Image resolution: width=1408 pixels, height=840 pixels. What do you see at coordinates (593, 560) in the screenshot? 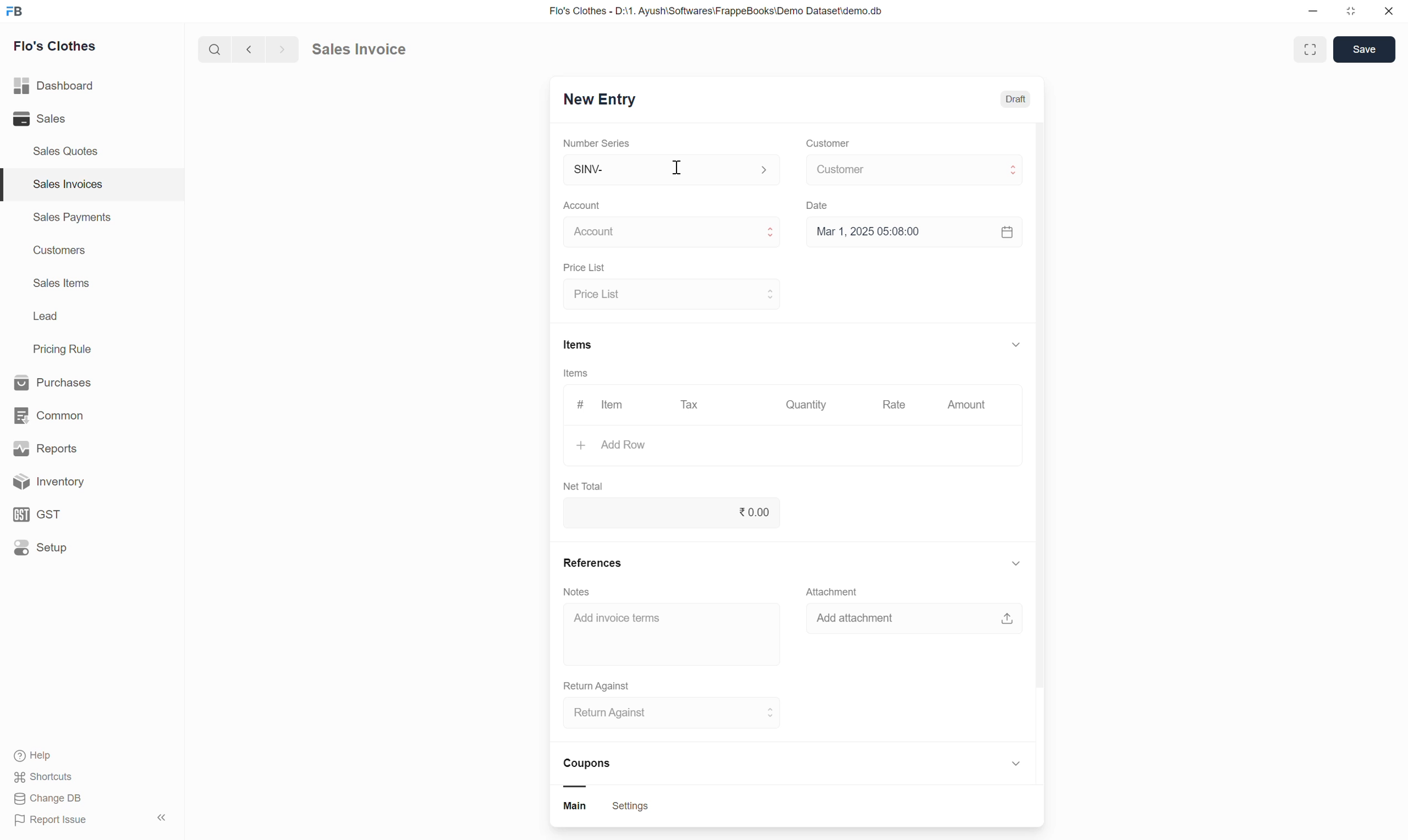
I see `References` at bounding box center [593, 560].